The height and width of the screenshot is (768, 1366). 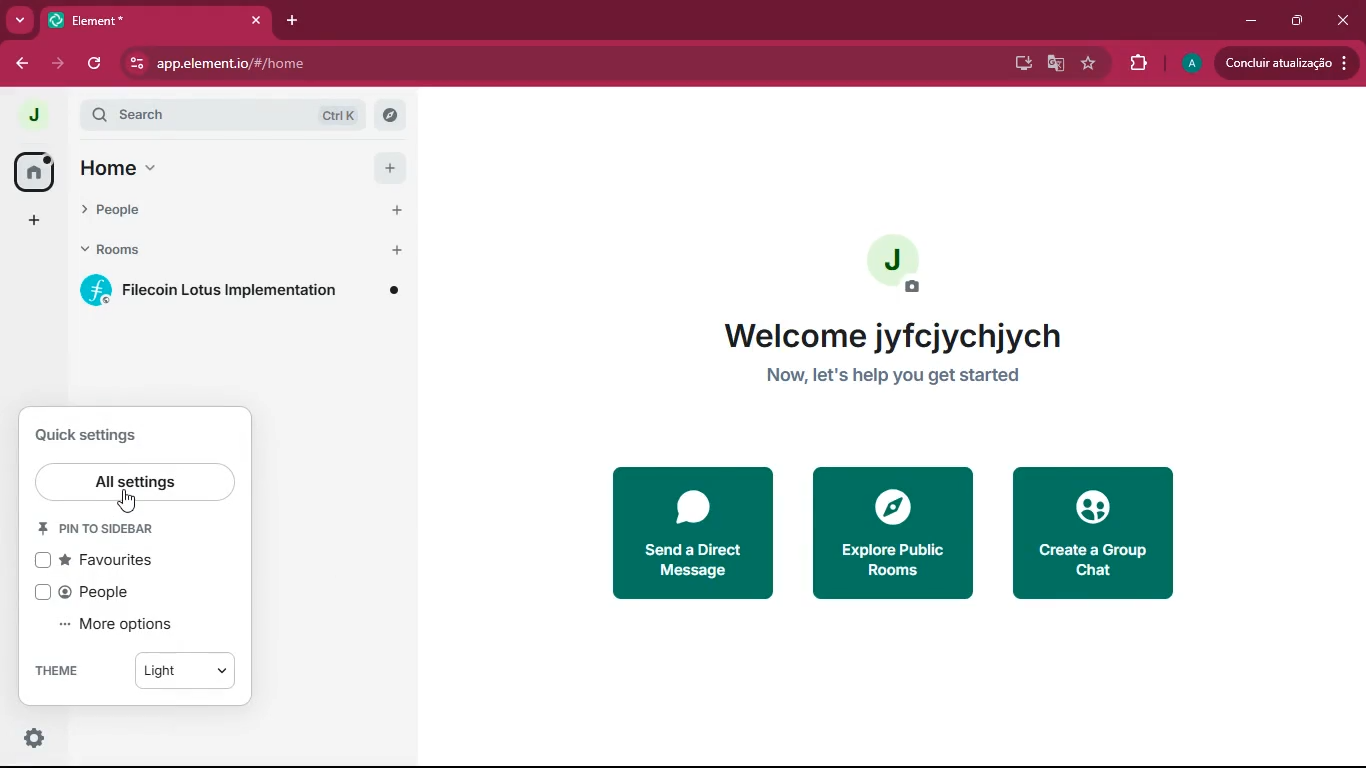 I want to click on minimize, so click(x=1246, y=18).